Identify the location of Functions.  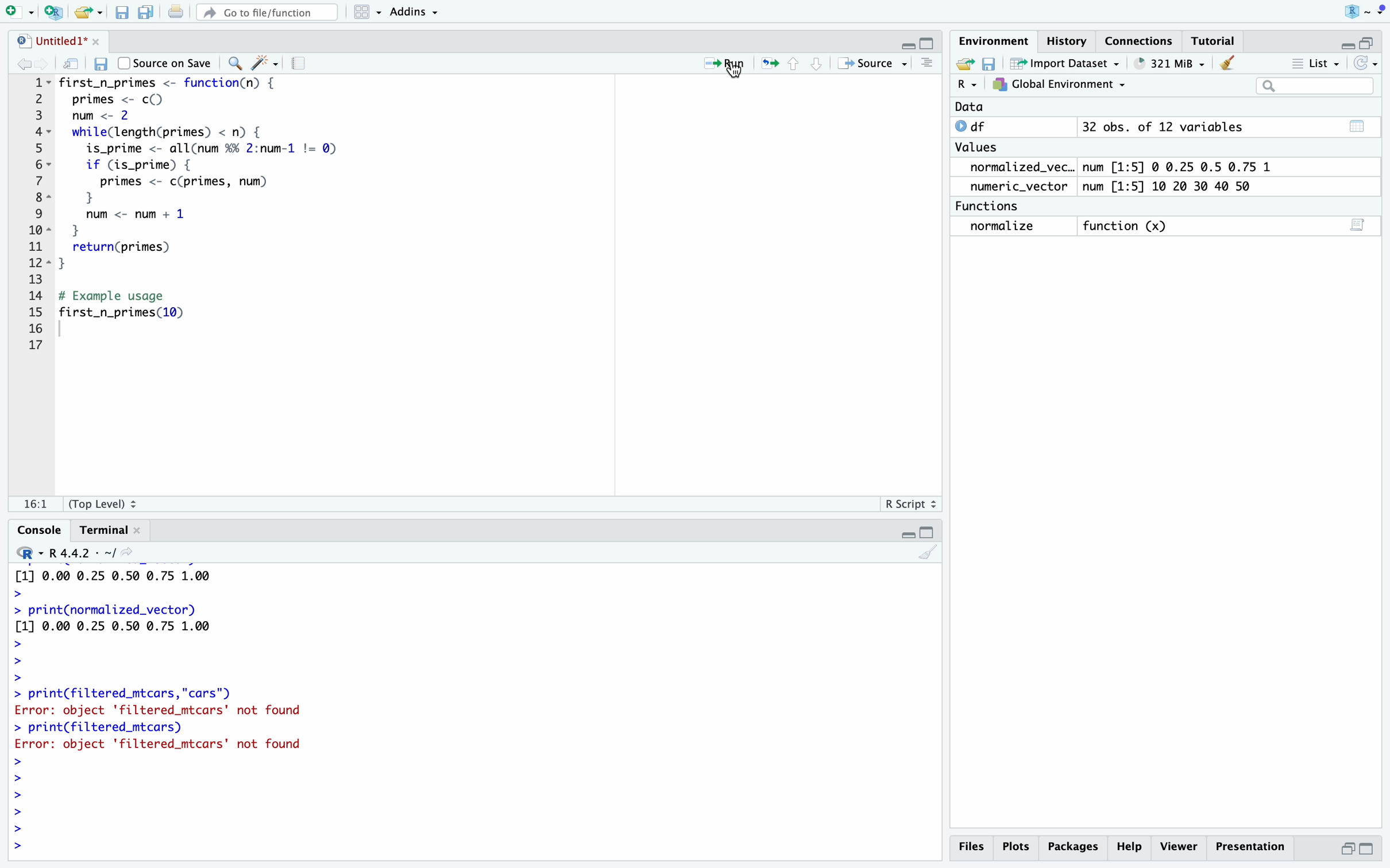
(999, 206).